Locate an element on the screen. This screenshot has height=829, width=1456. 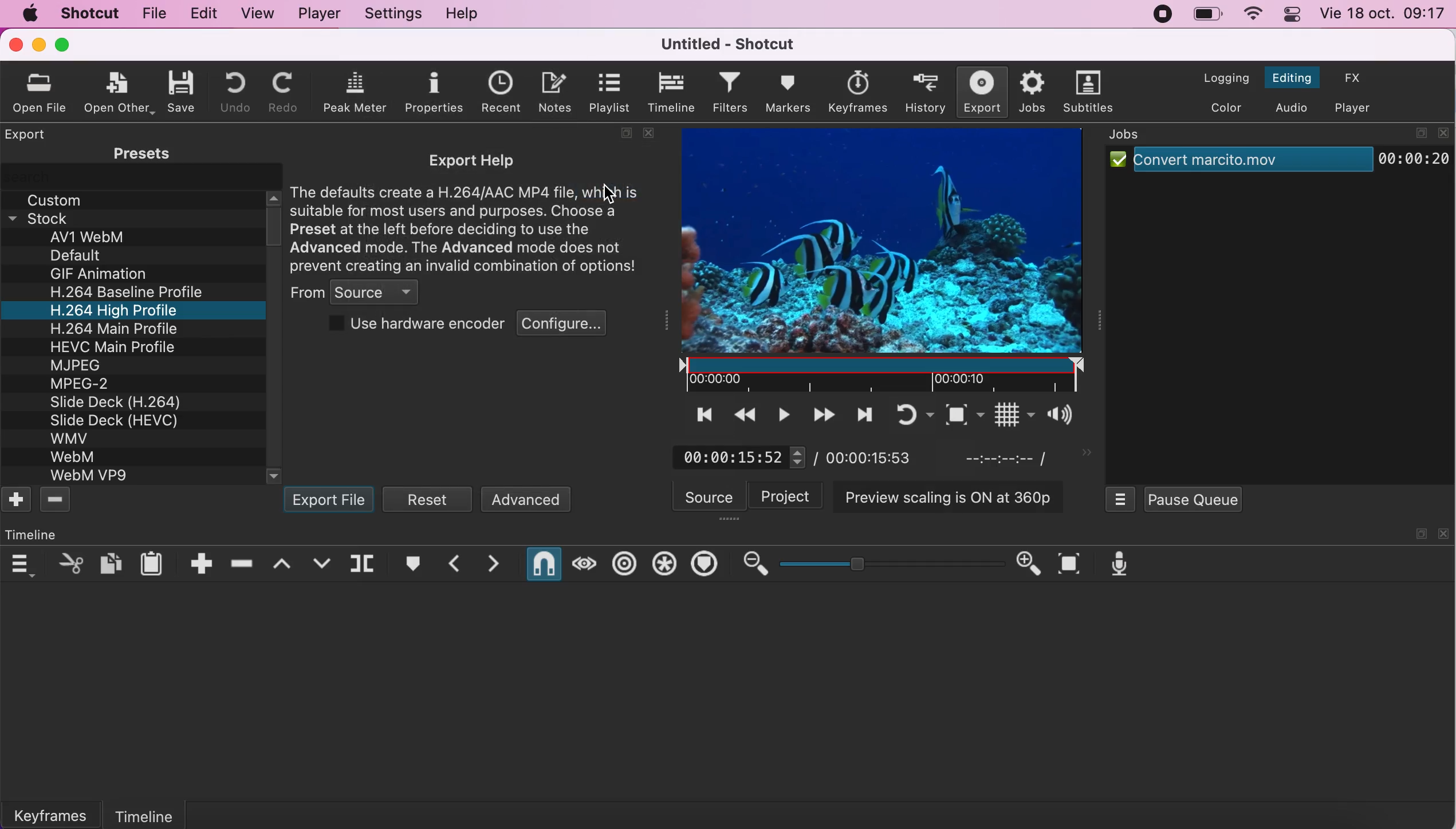
HEVC Main Profile is located at coordinates (114, 346).